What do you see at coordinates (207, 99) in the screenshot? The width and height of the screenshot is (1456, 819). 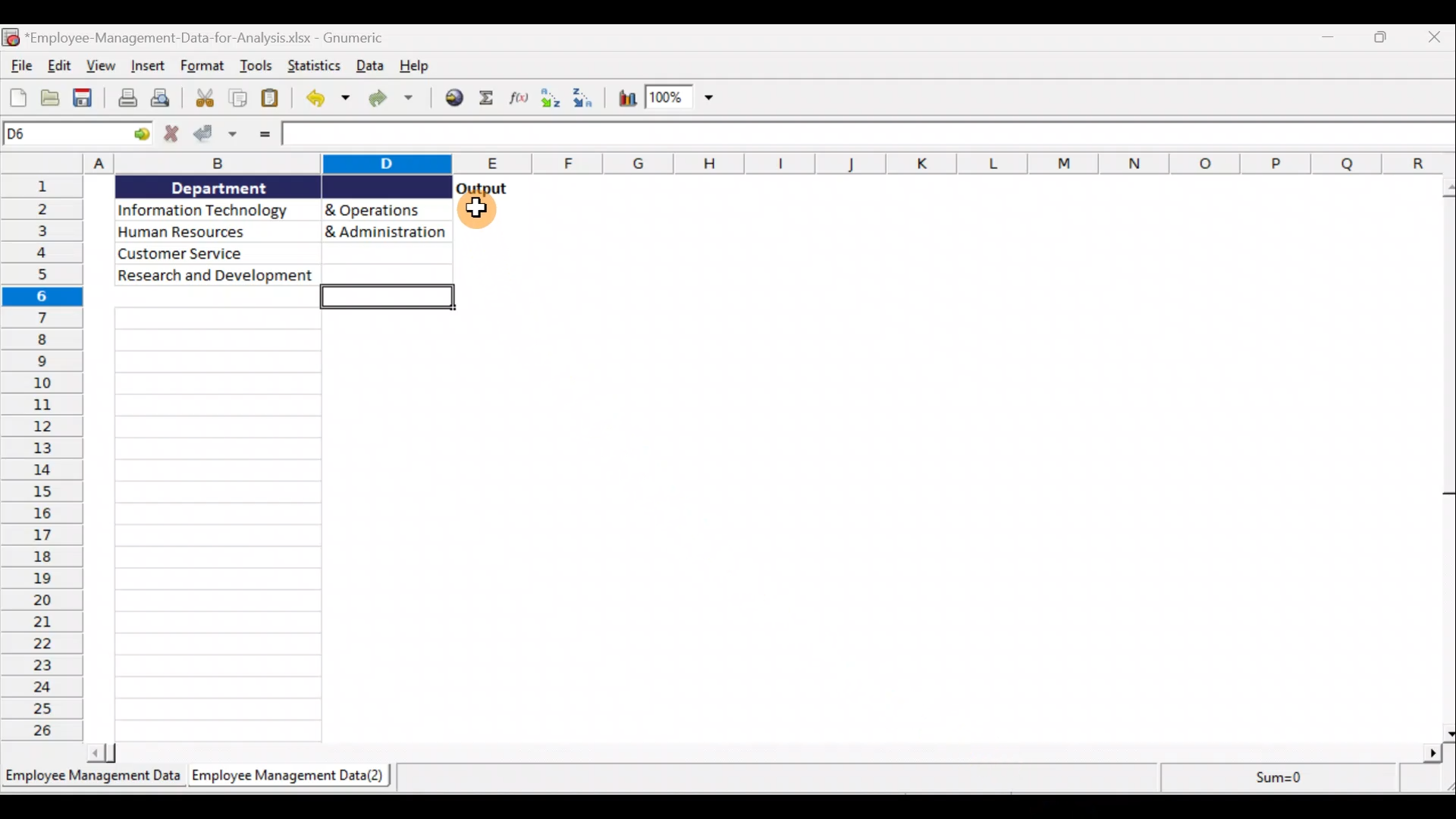 I see `Cut the selection` at bounding box center [207, 99].